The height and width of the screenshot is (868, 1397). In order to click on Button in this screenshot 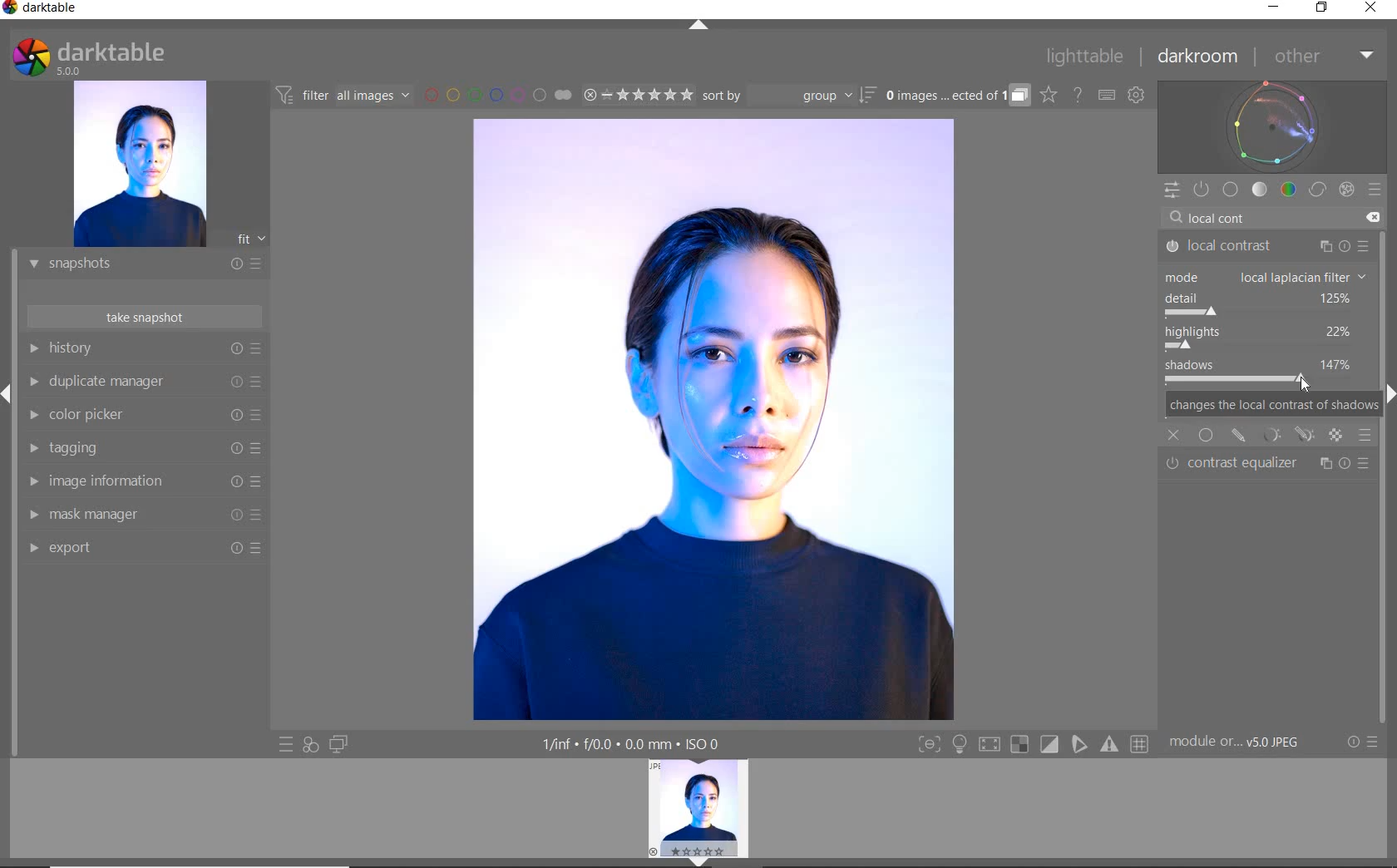, I will do `click(929, 746)`.